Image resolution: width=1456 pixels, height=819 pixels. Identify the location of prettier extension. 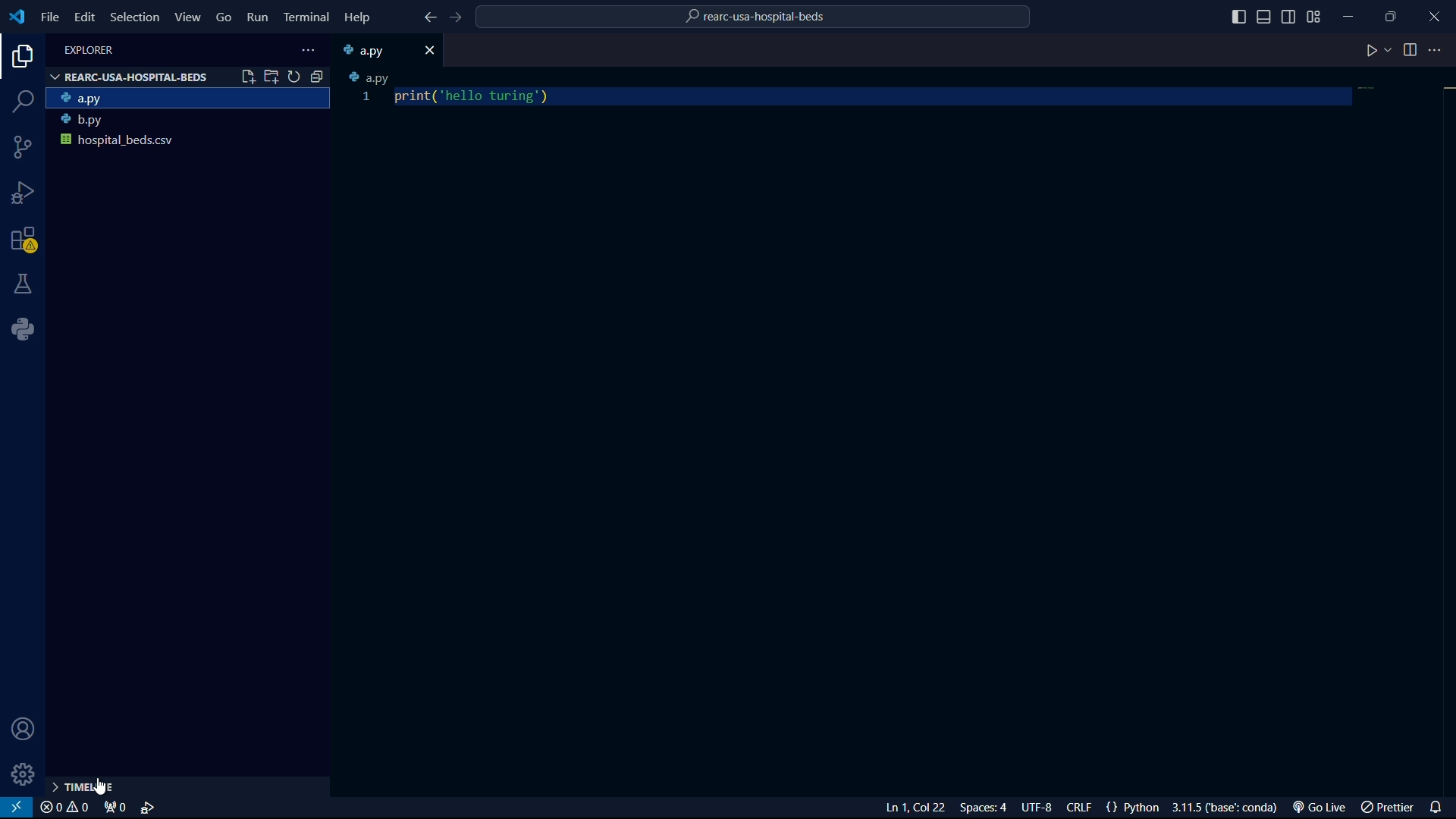
(1385, 808).